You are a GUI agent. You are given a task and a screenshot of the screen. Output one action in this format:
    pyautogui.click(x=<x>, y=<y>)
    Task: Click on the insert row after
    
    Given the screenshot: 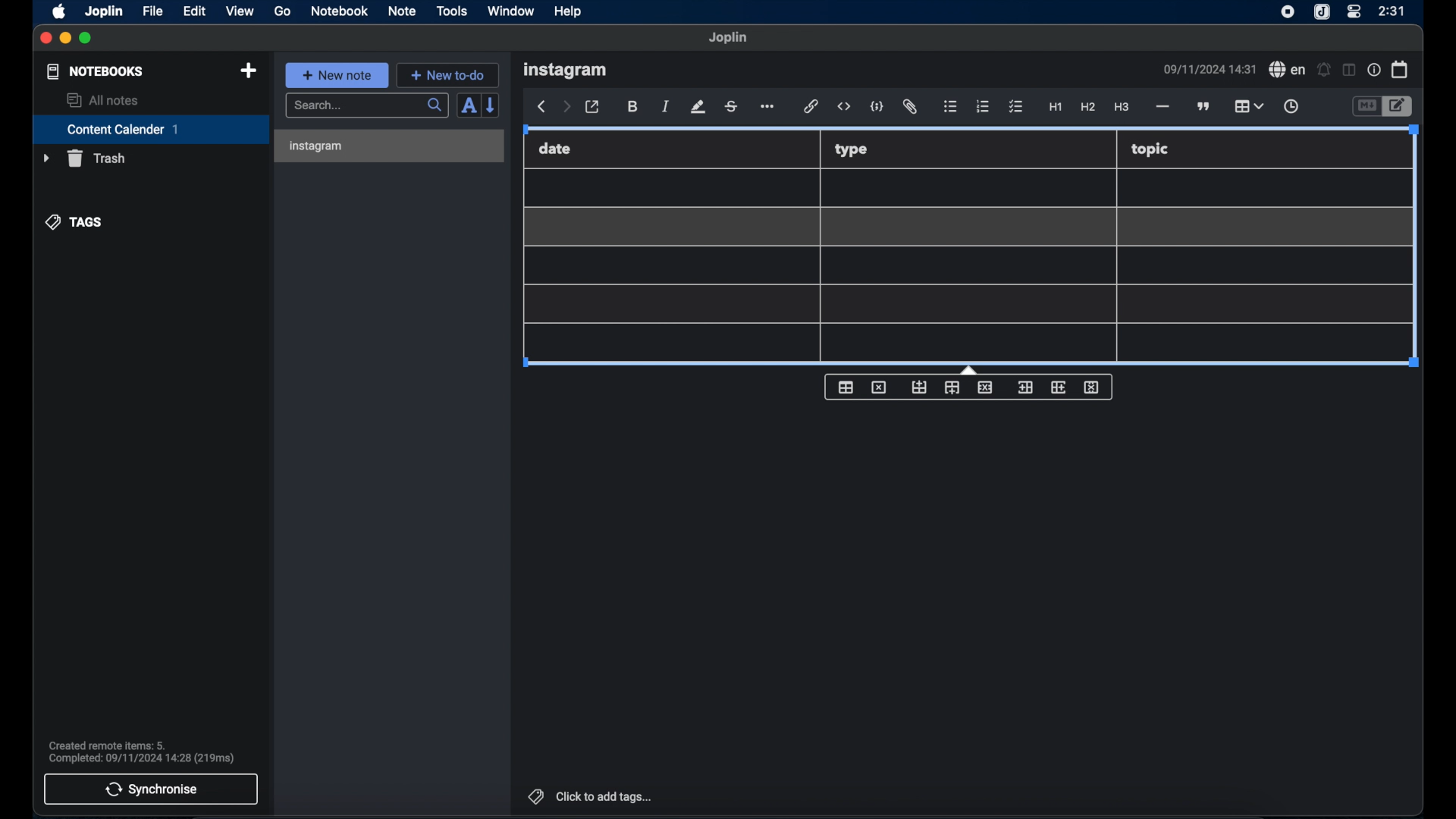 What is the action you would take?
    pyautogui.click(x=952, y=388)
    